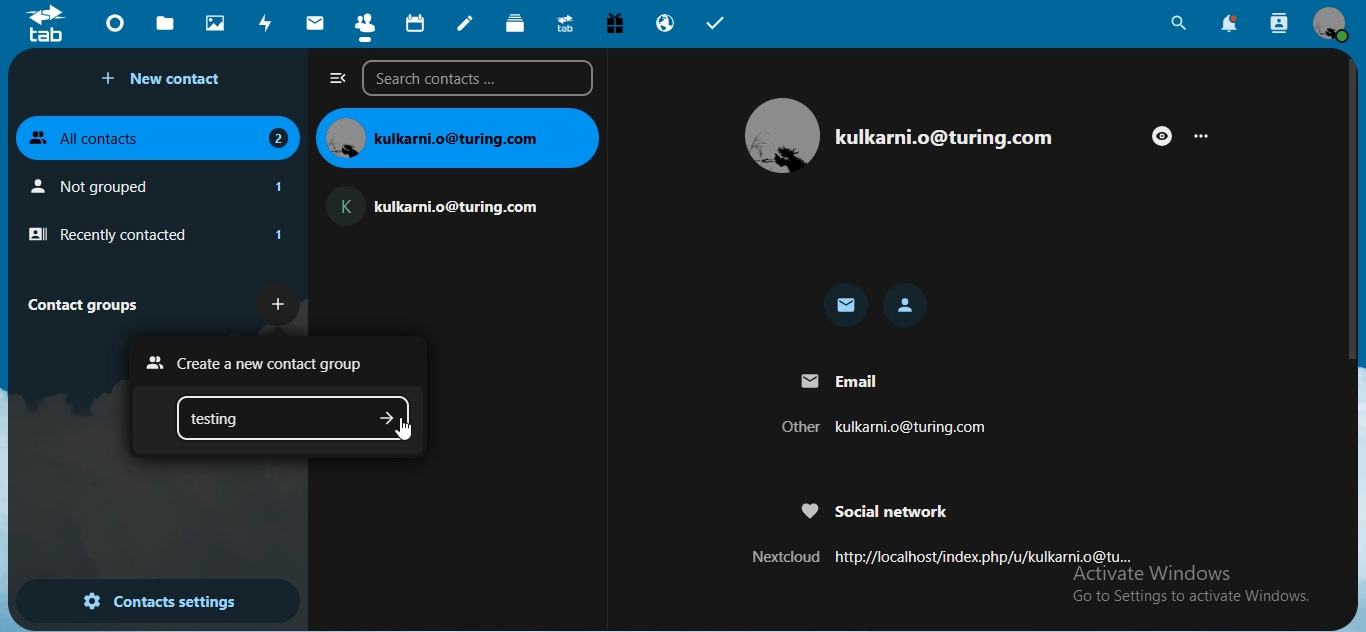  What do you see at coordinates (666, 23) in the screenshot?
I see `email hosting` at bounding box center [666, 23].